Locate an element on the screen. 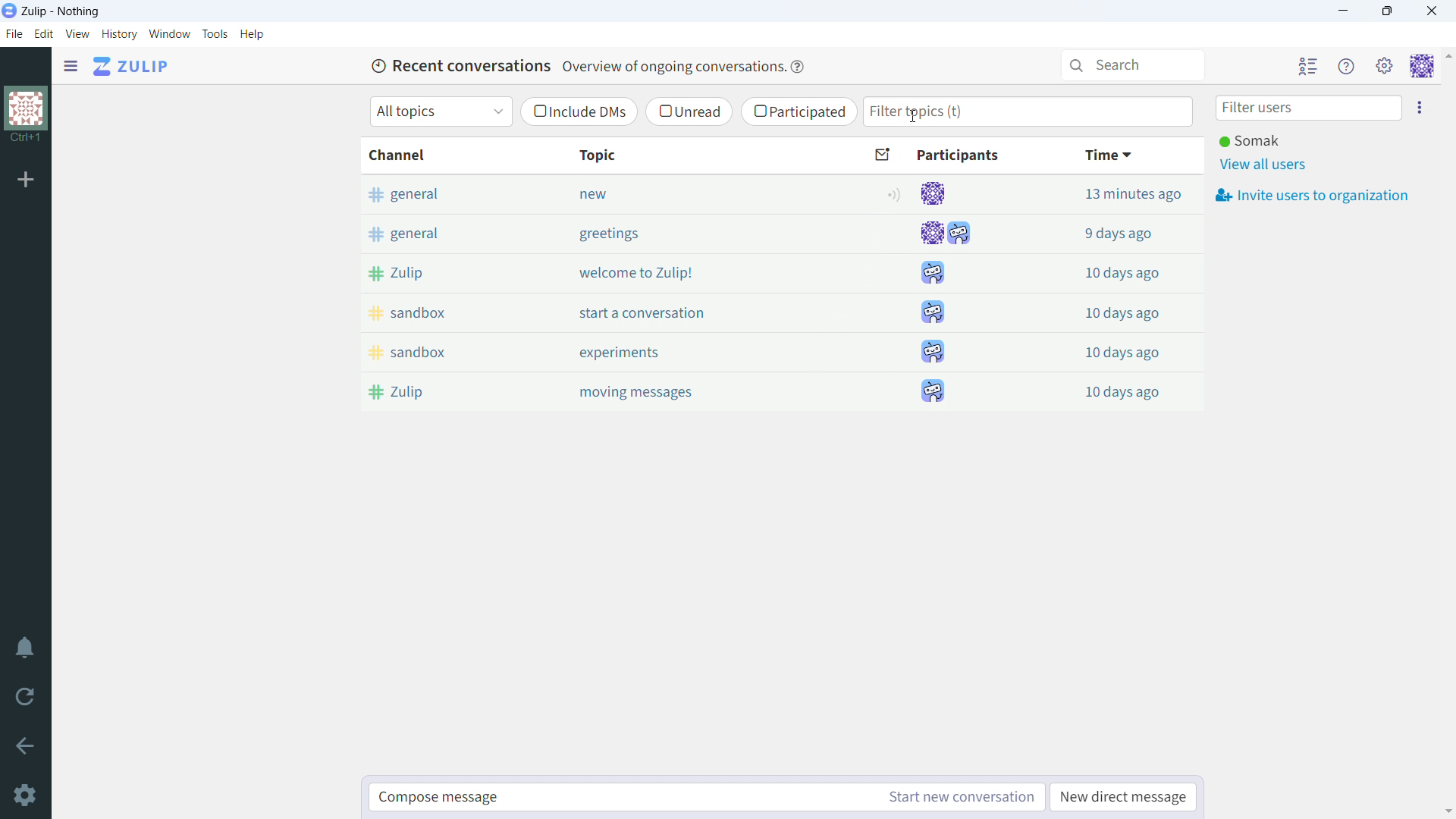 This screenshot has width=1456, height=819. view all users is located at coordinates (1266, 165).